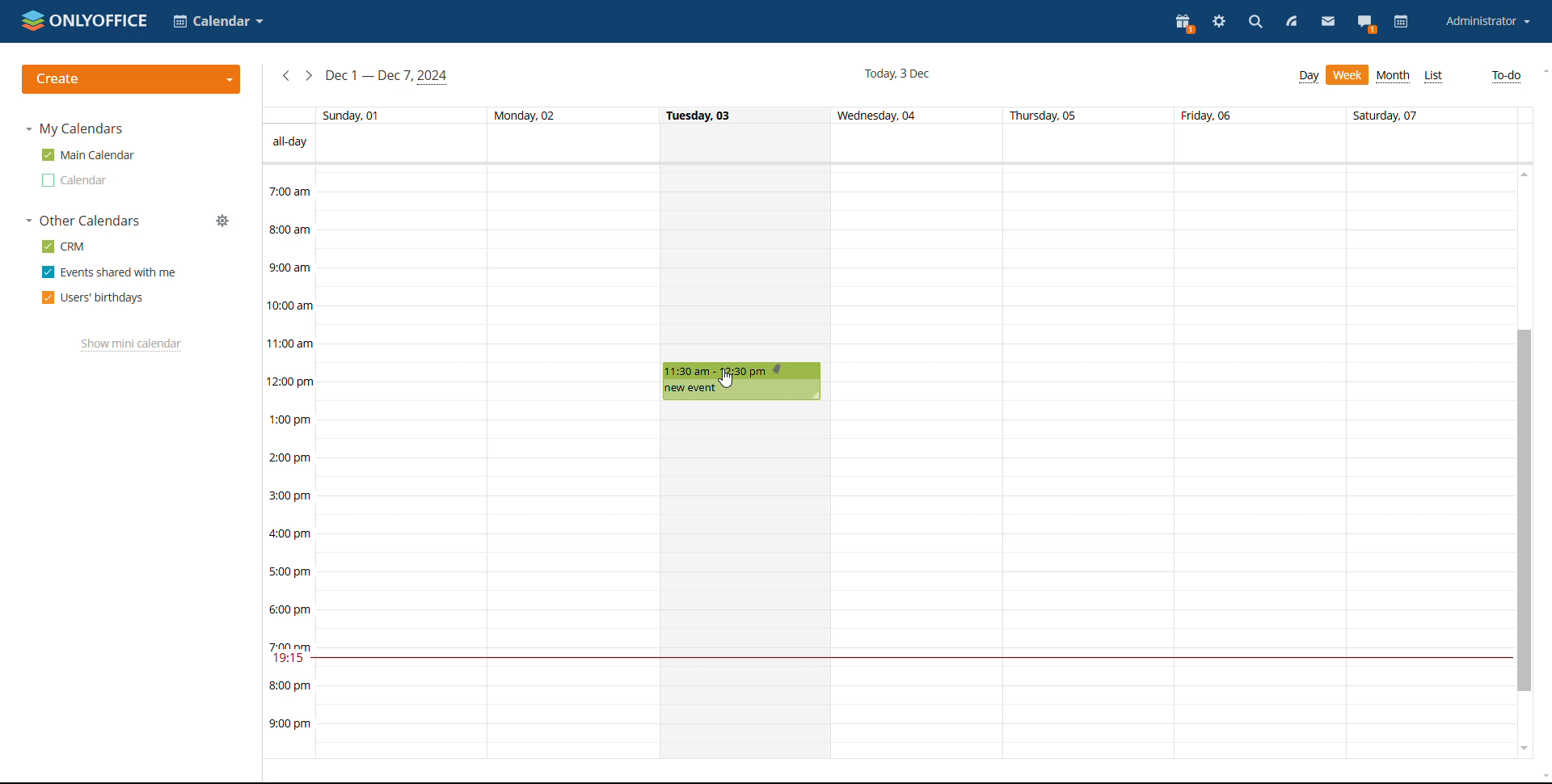  Describe the element at coordinates (310, 76) in the screenshot. I see `next week` at that location.